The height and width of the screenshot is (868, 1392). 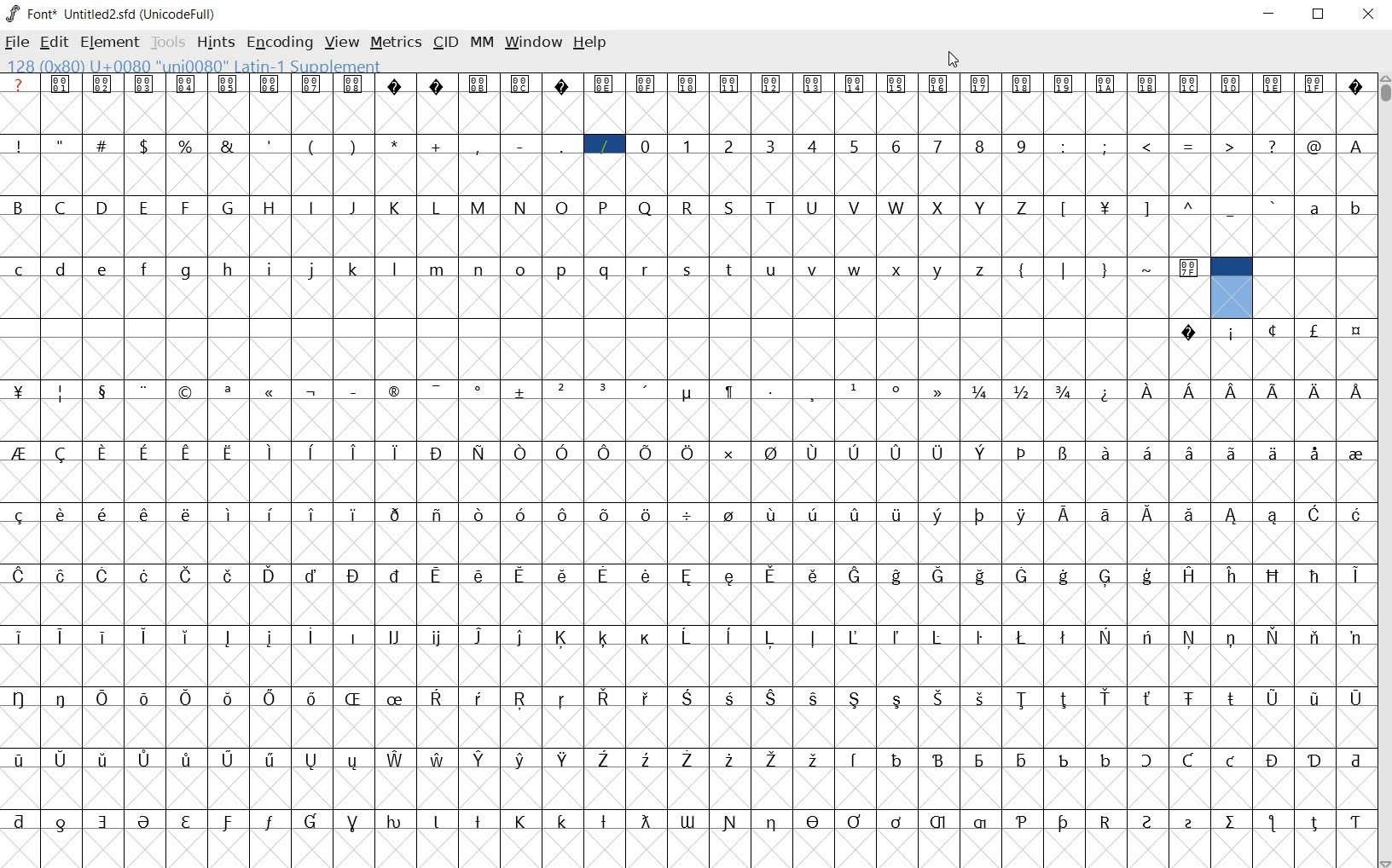 What do you see at coordinates (606, 269) in the screenshot?
I see `q` at bounding box center [606, 269].